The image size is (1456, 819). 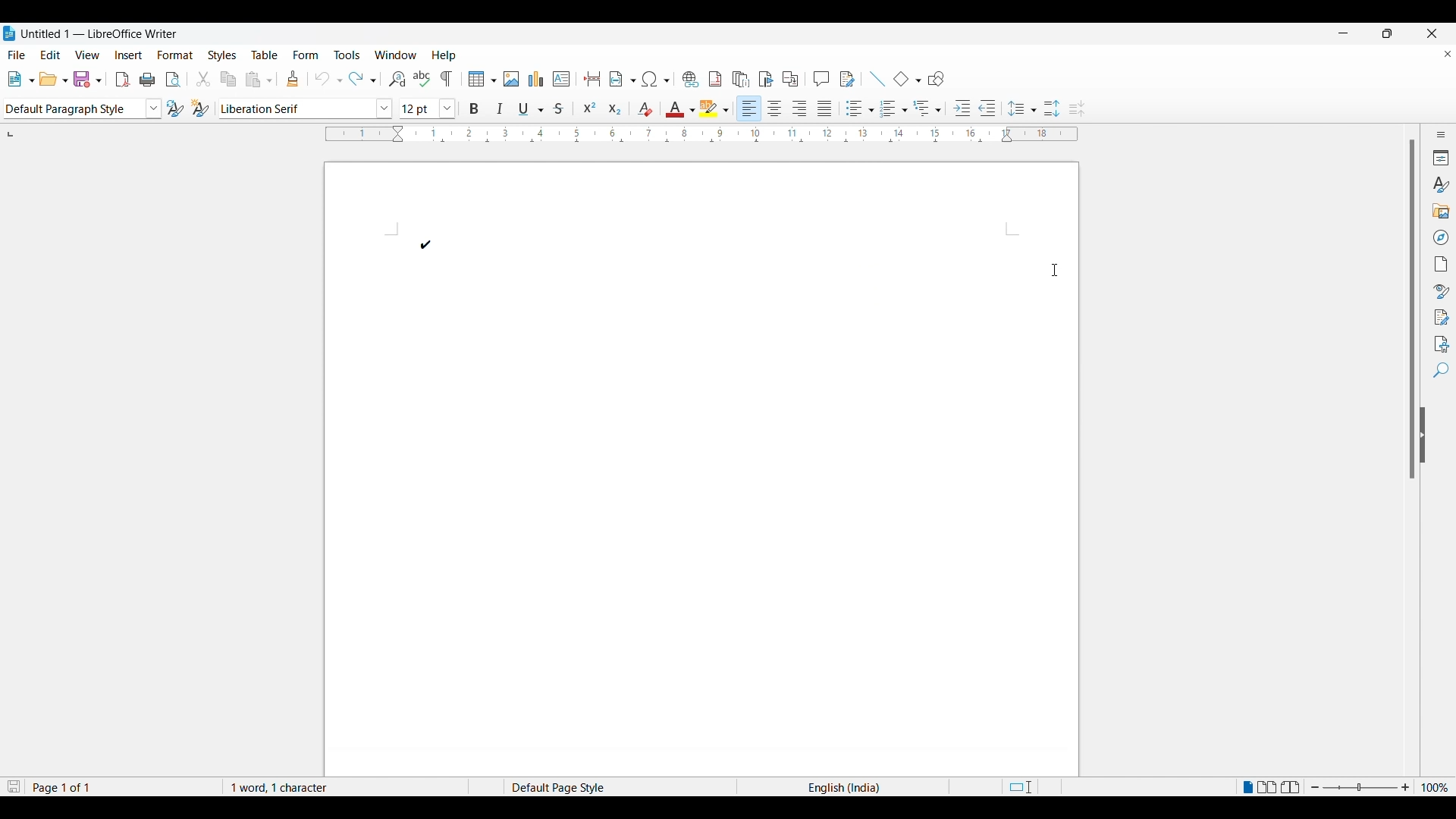 What do you see at coordinates (927, 108) in the screenshot?
I see `Selected outline format` at bounding box center [927, 108].